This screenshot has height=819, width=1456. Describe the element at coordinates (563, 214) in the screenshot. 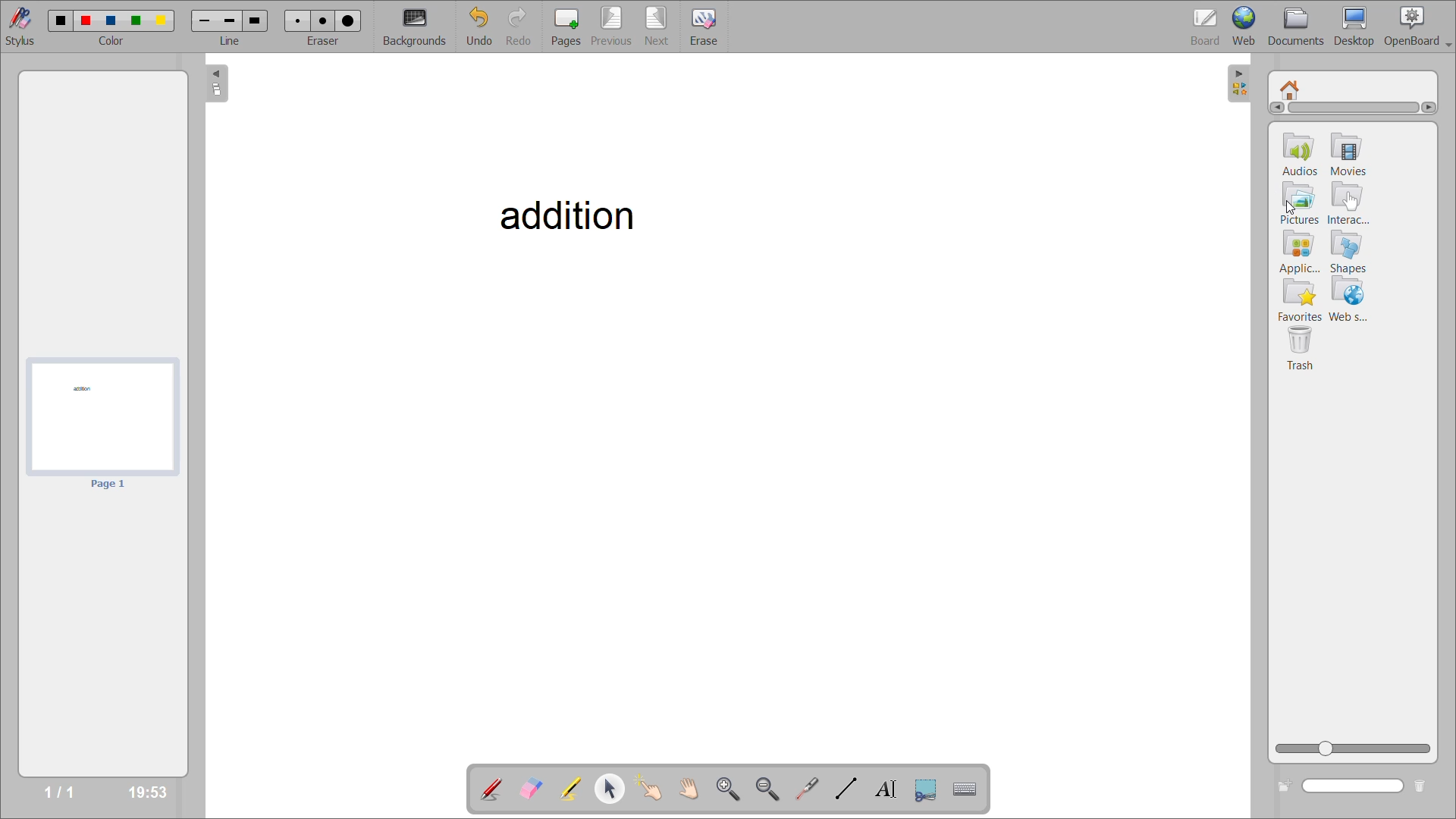

I see `addition - title` at that location.